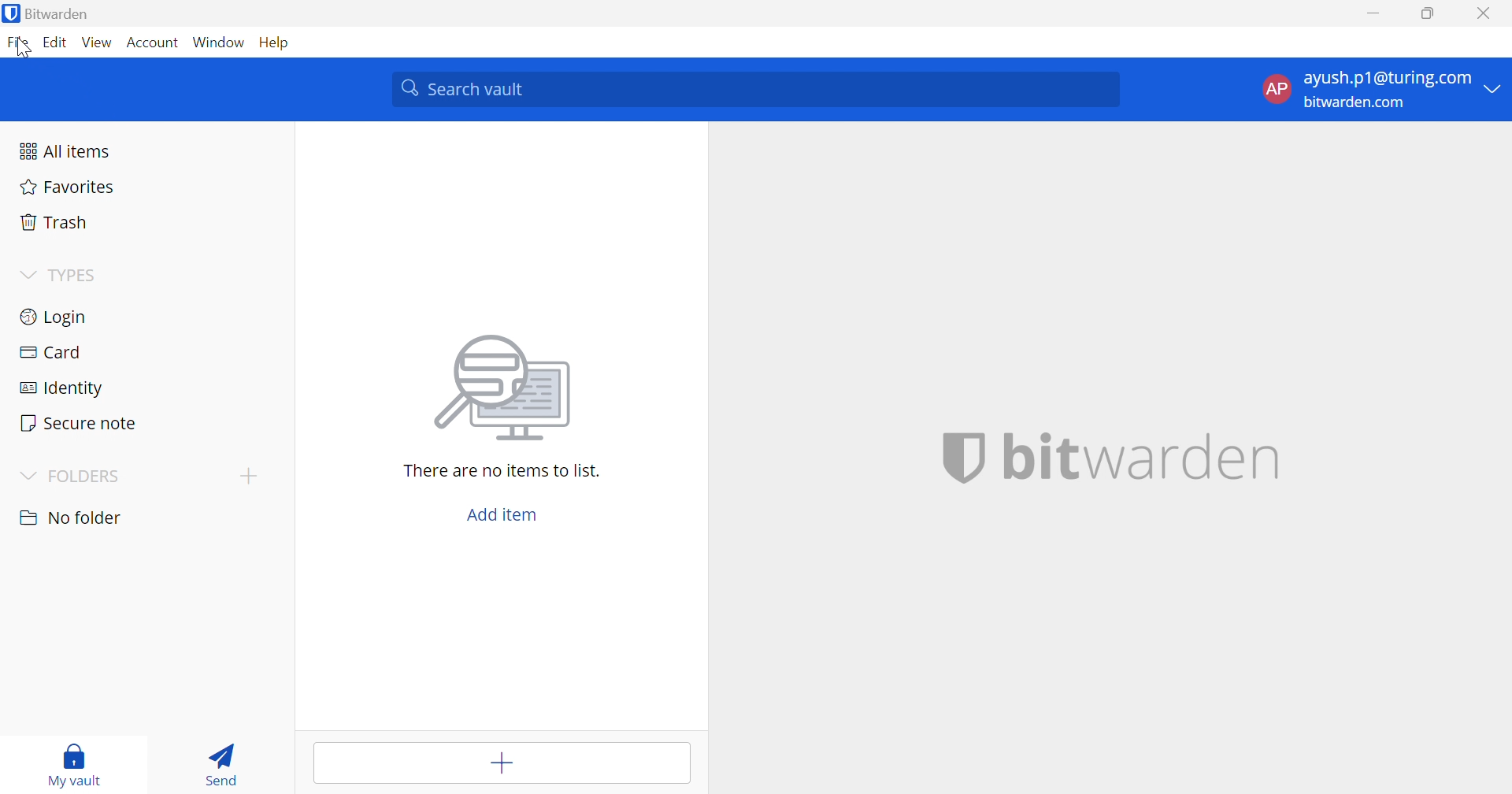 The width and height of the screenshot is (1512, 794). Describe the element at coordinates (506, 389) in the screenshot. I see `image` at that location.